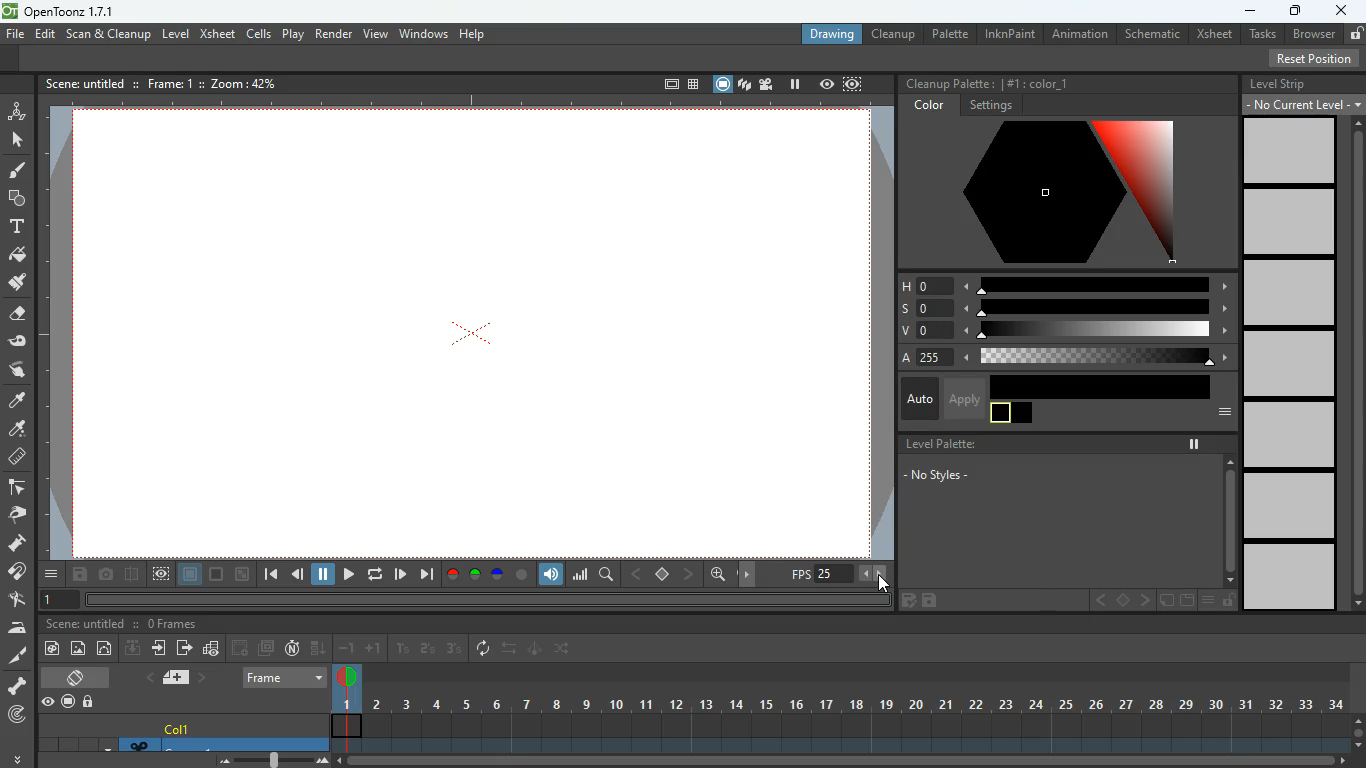 The height and width of the screenshot is (768, 1366). I want to click on color, so click(215, 574).